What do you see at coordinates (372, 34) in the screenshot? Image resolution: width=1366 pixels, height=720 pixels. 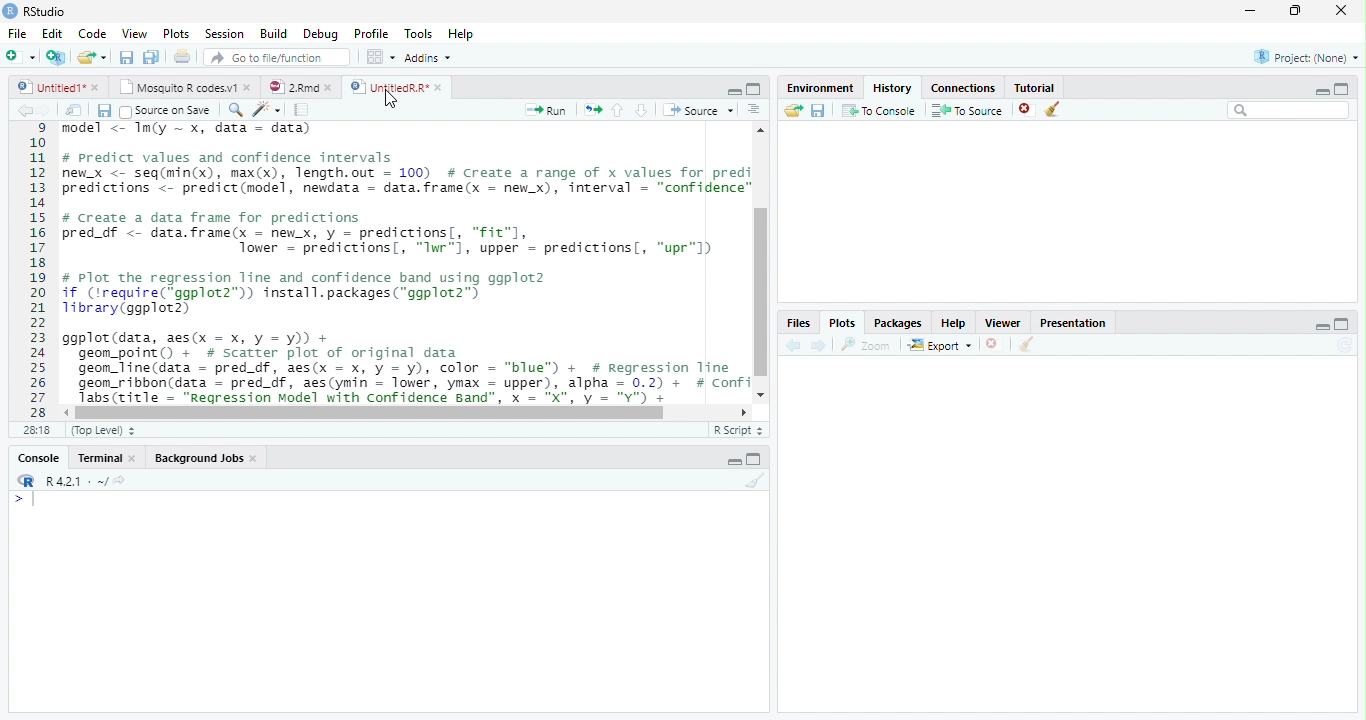 I see `Profile` at bounding box center [372, 34].